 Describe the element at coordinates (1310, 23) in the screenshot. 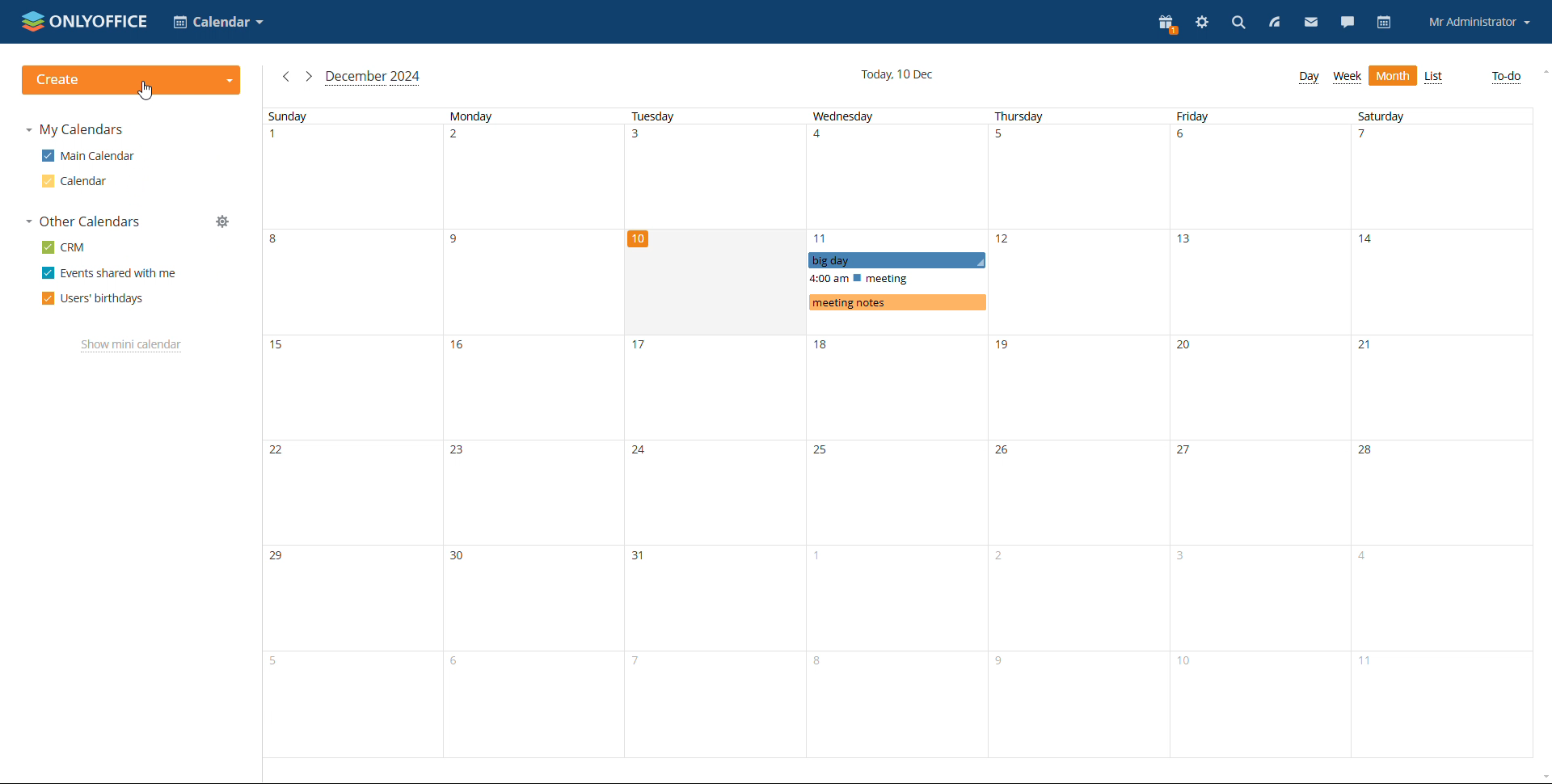

I see `mail` at that location.